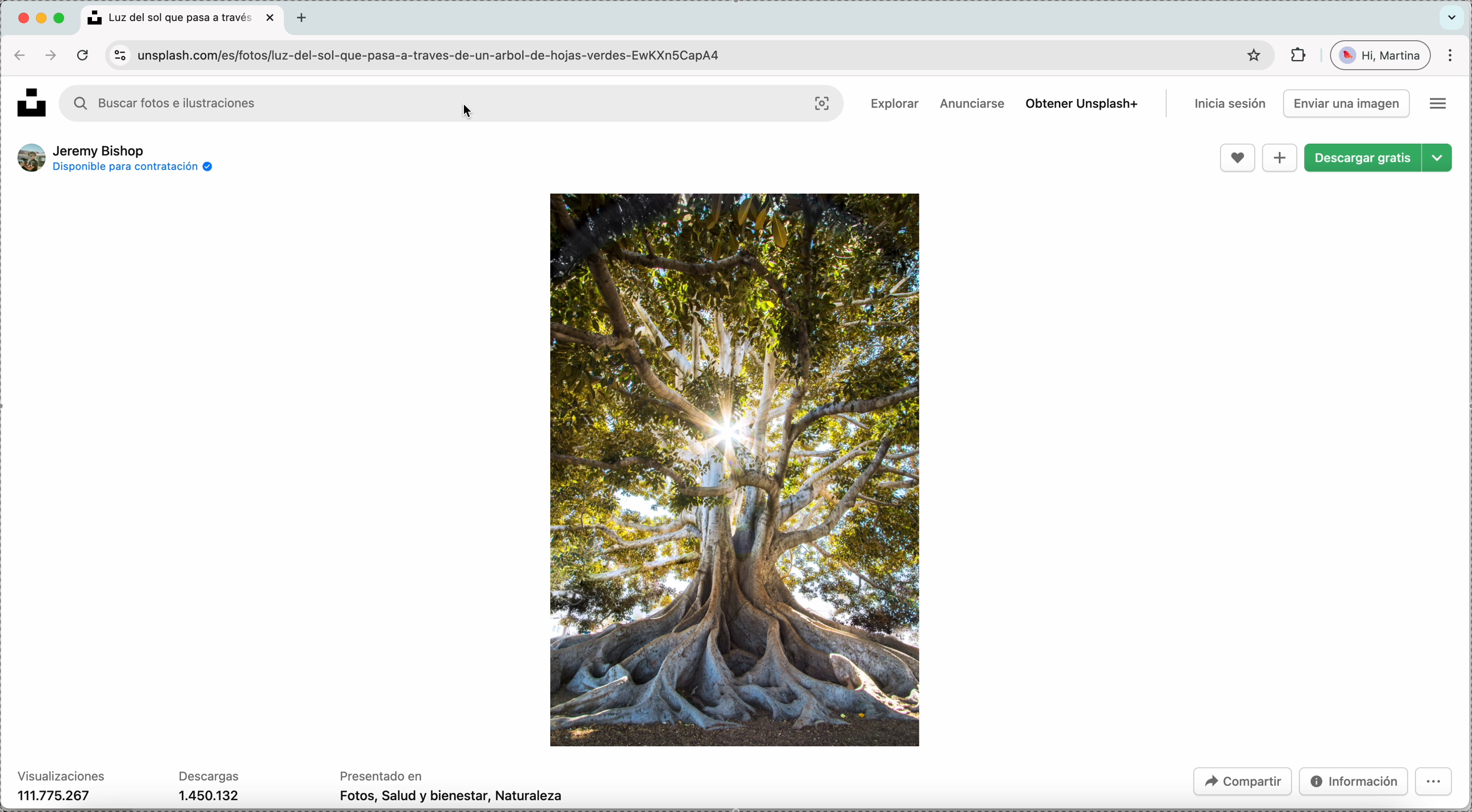  I want to click on search bar, so click(258, 102).